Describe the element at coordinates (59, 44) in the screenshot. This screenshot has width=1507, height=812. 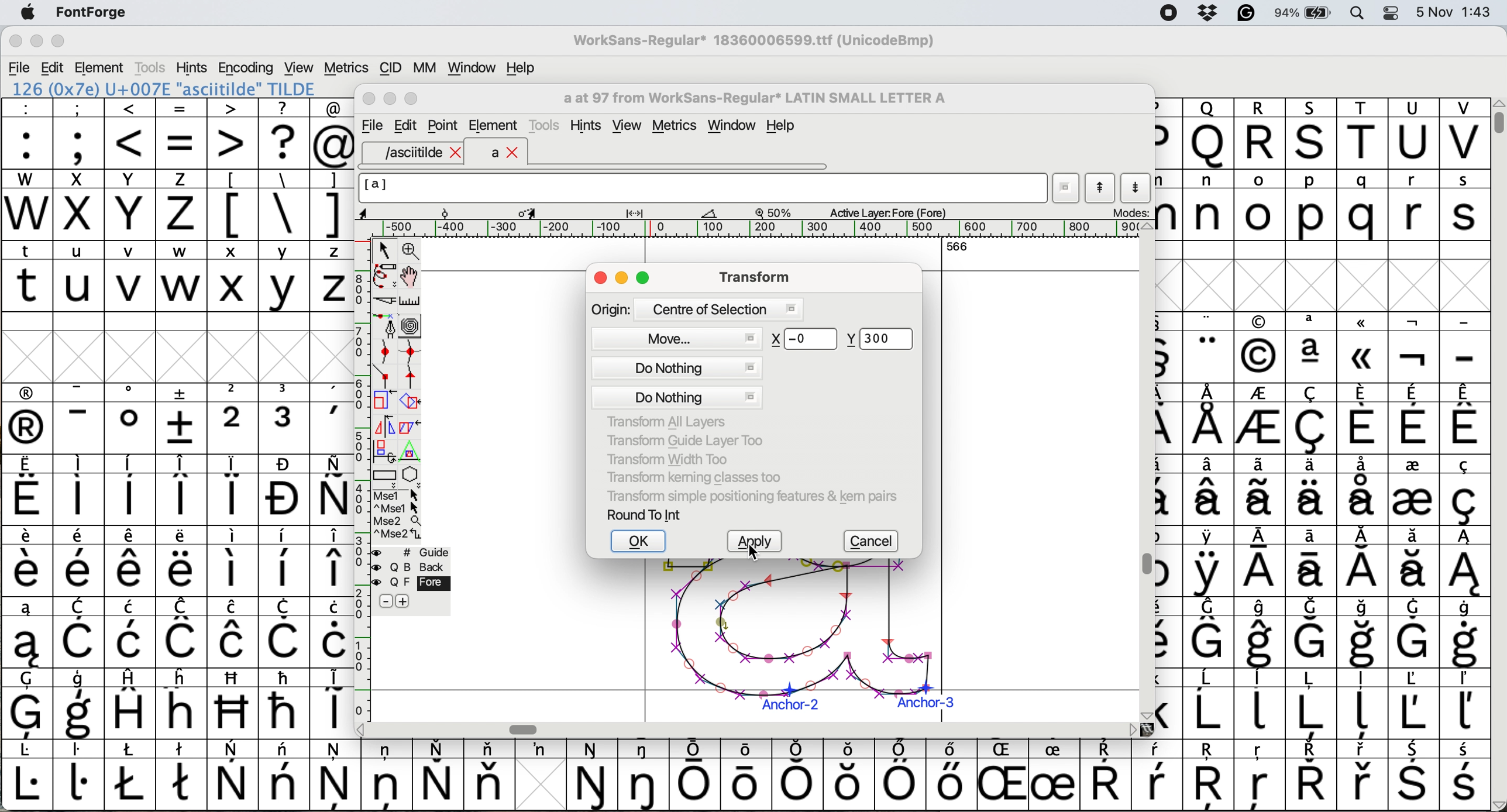
I see `maximise` at that location.